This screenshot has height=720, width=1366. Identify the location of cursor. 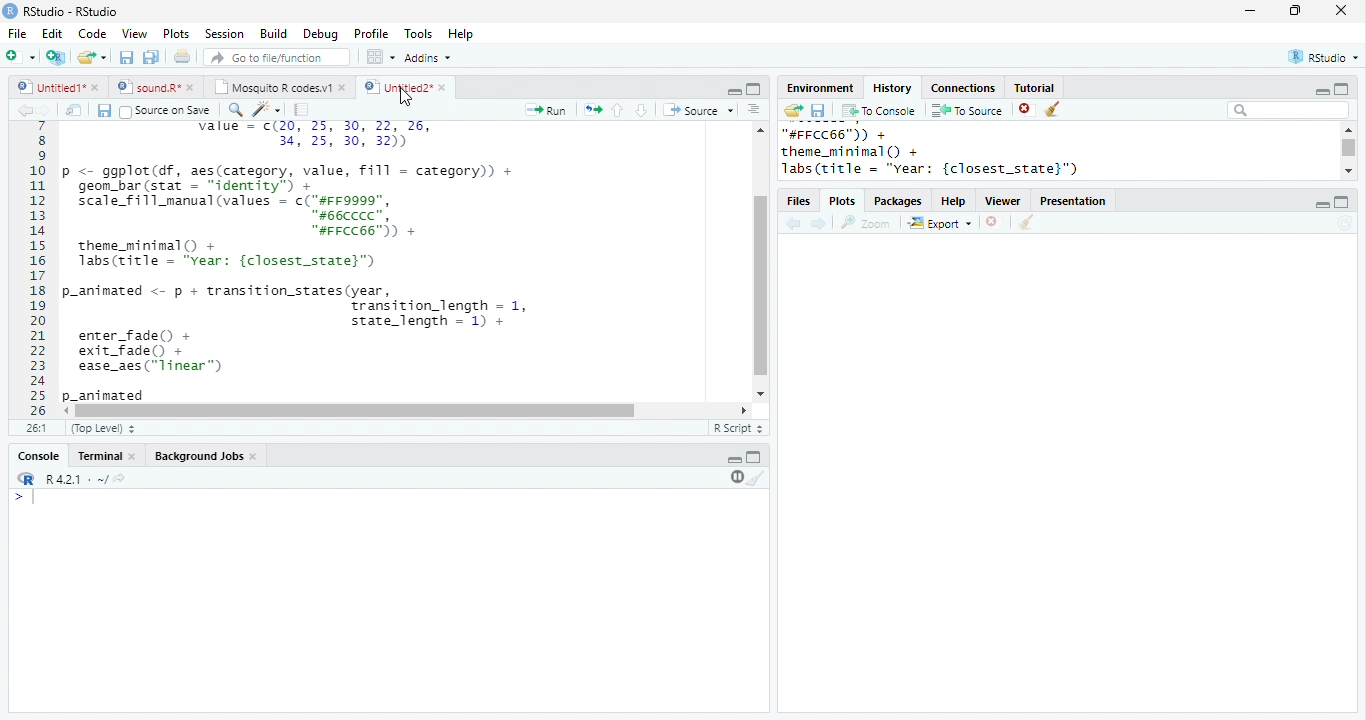
(404, 98).